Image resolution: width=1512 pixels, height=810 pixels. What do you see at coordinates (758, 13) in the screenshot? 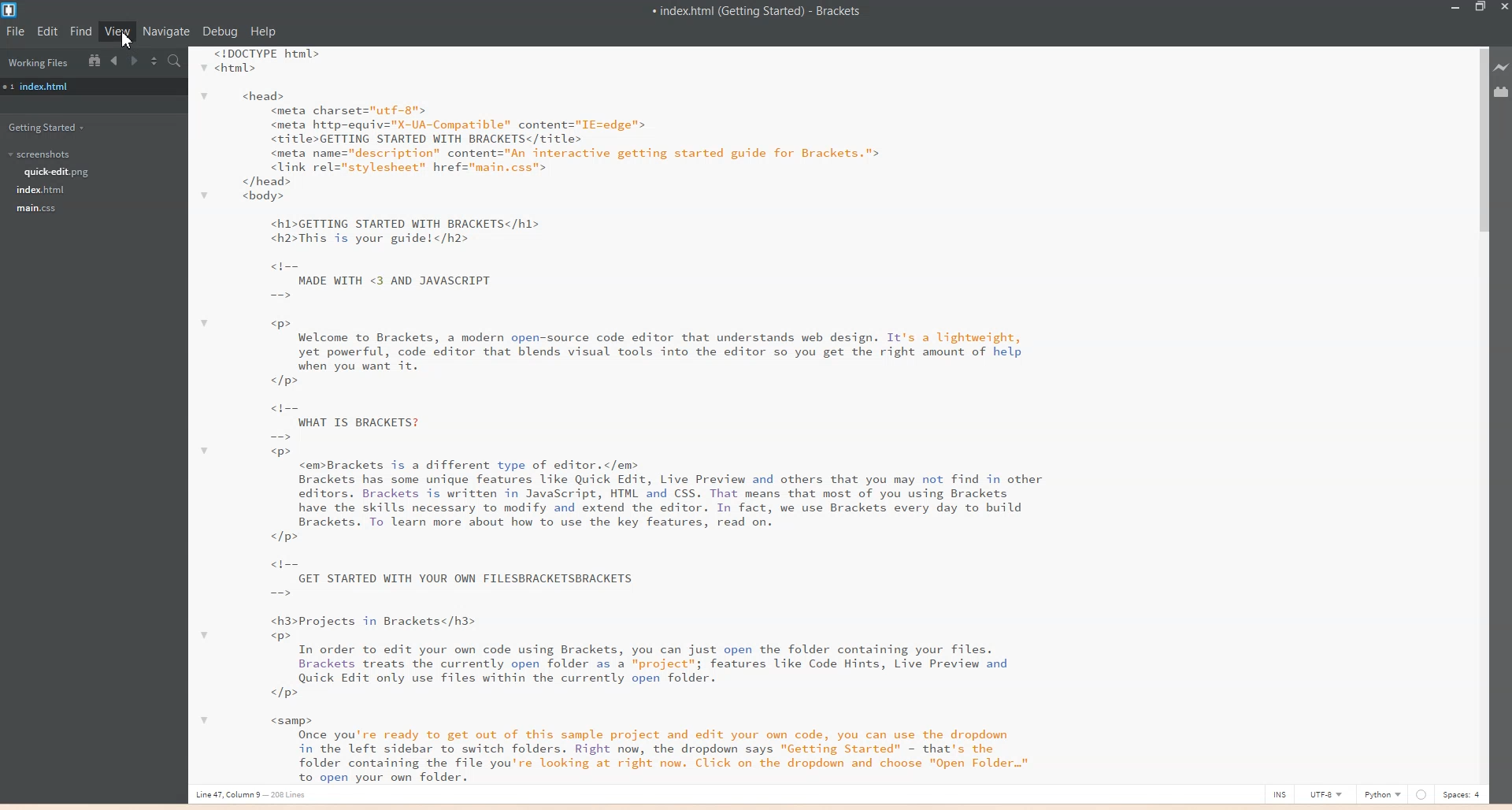
I see `Text` at bounding box center [758, 13].